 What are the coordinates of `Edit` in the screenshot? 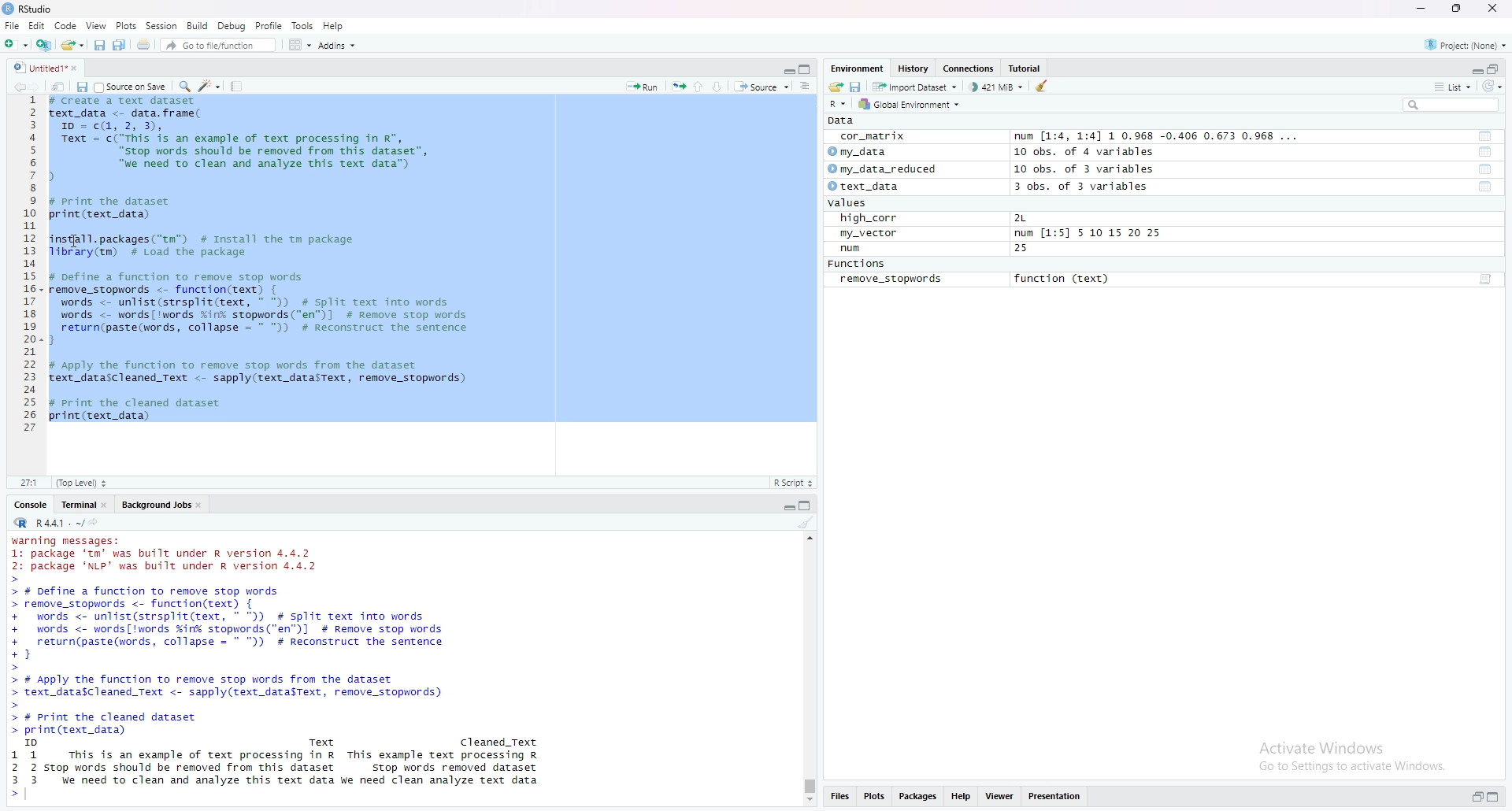 It's located at (35, 25).